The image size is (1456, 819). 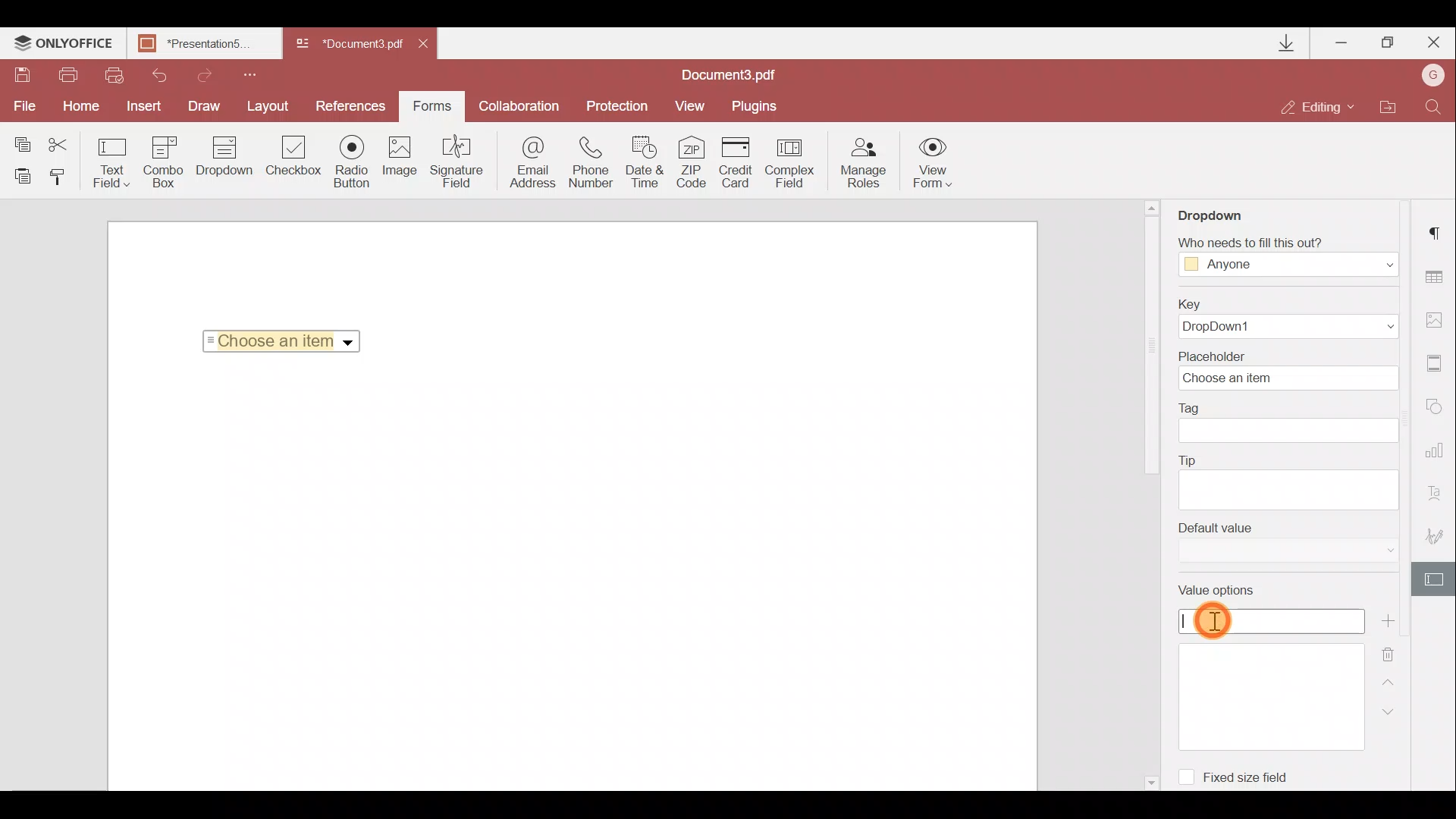 What do you see at coordinates (1289, 422) in the screenshot?
I see `Tag` at bounding box center [1289, 422].